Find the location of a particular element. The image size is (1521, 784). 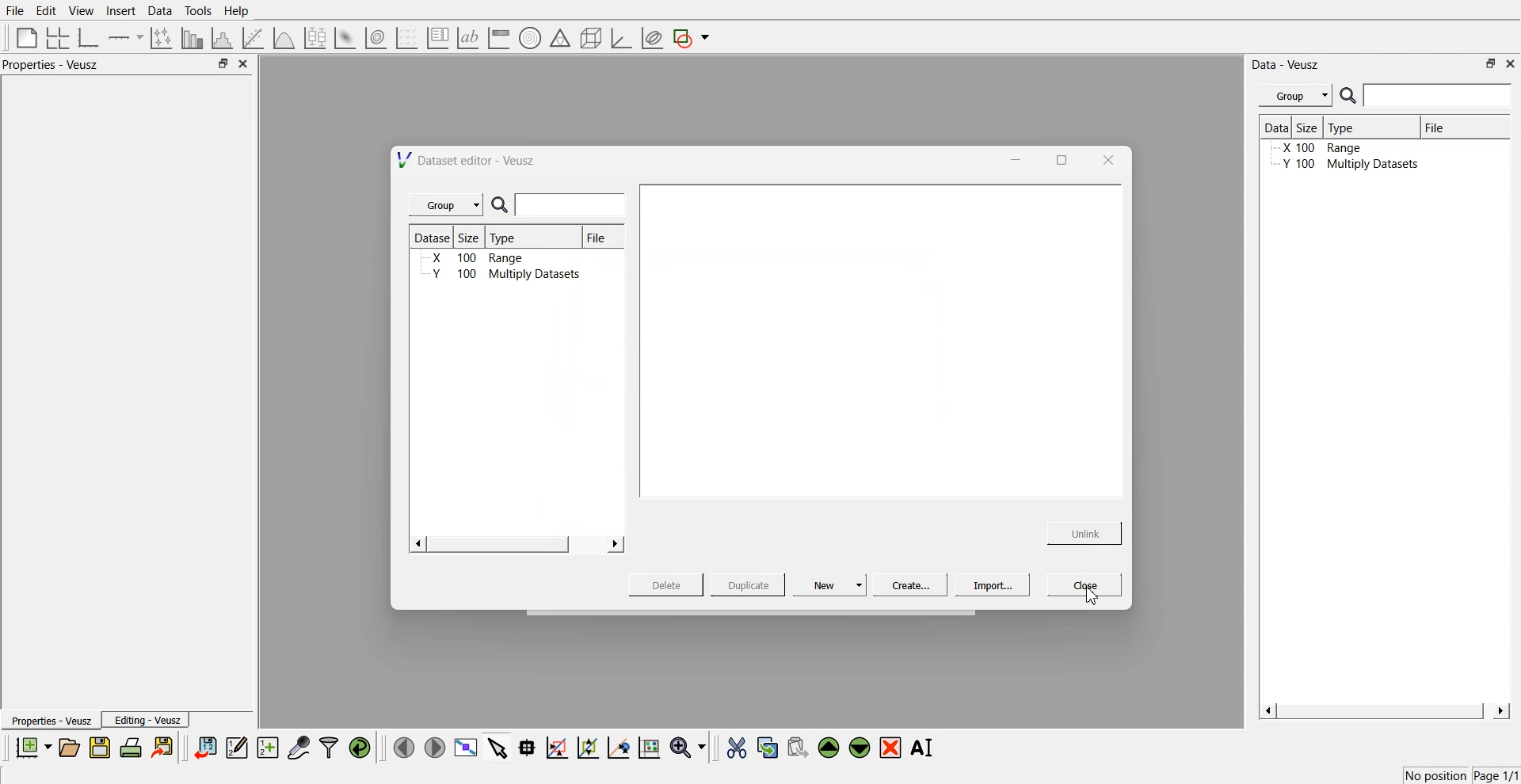

Edit is located at coordinates (47, 10).